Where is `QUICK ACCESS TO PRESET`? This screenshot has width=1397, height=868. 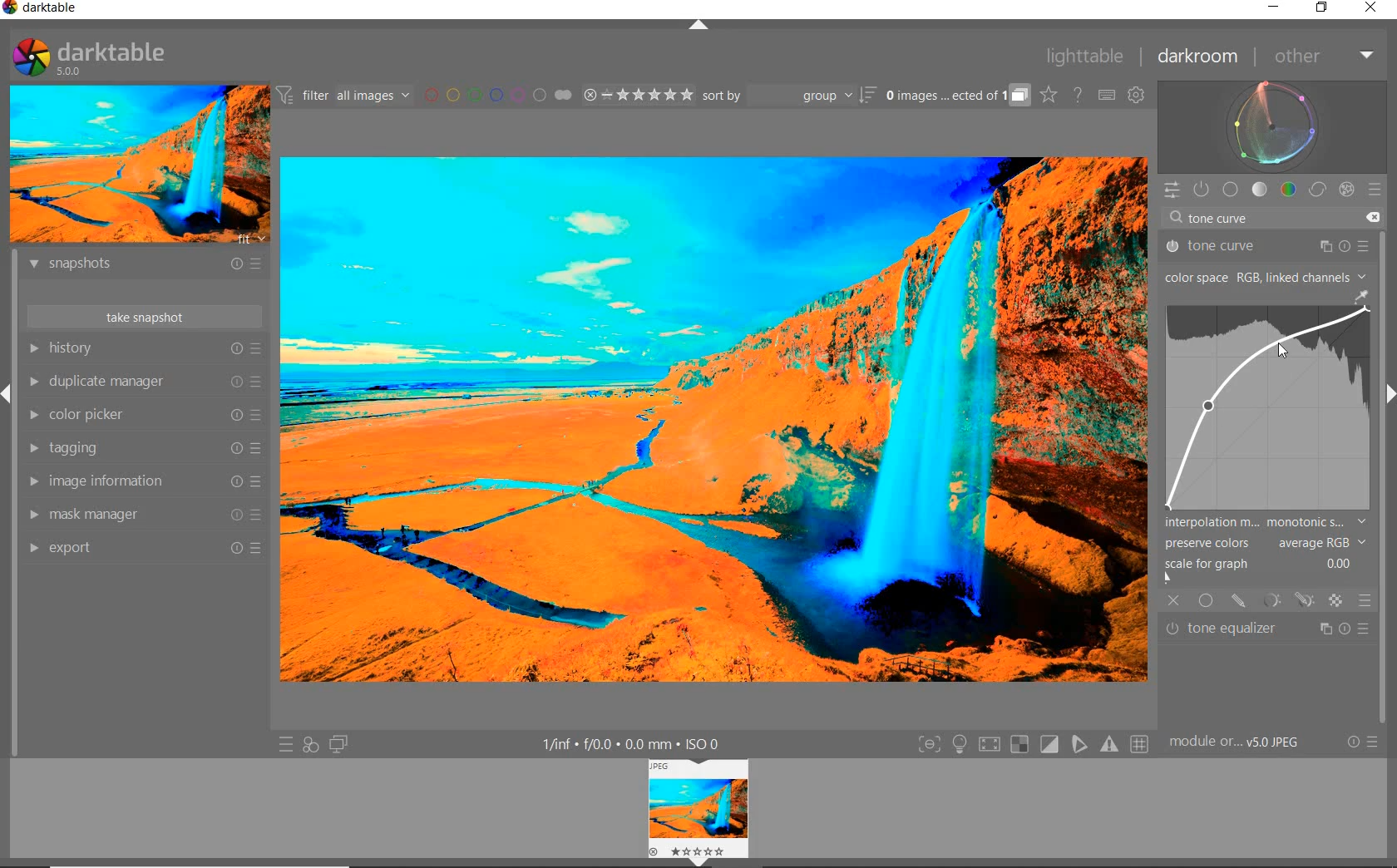 QUICK ACCESS TO PRESET is located at coordinates (285, 743).